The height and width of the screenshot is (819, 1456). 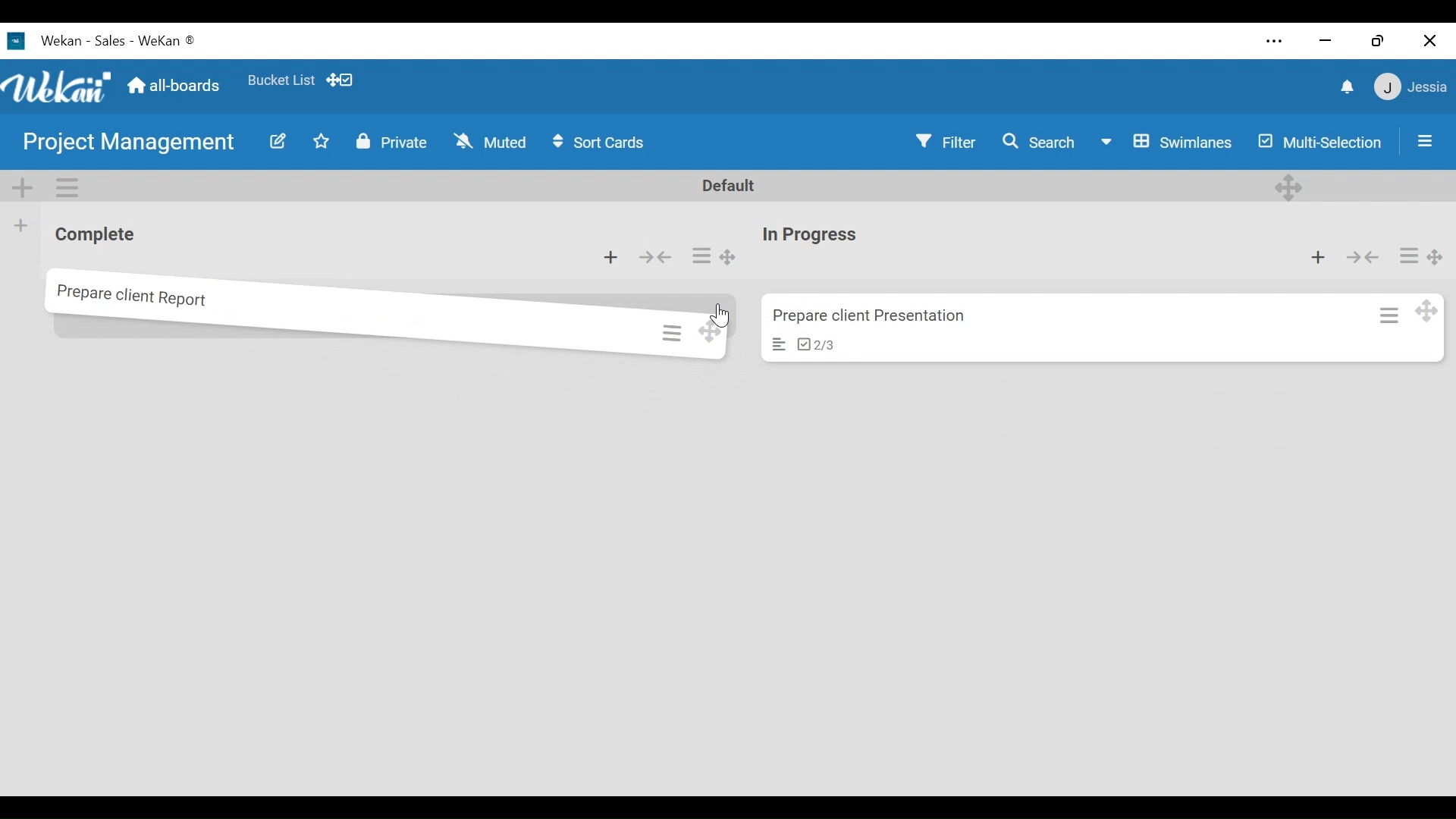 I want to click on Desktop drag handles, so click(x=1425, y=318).